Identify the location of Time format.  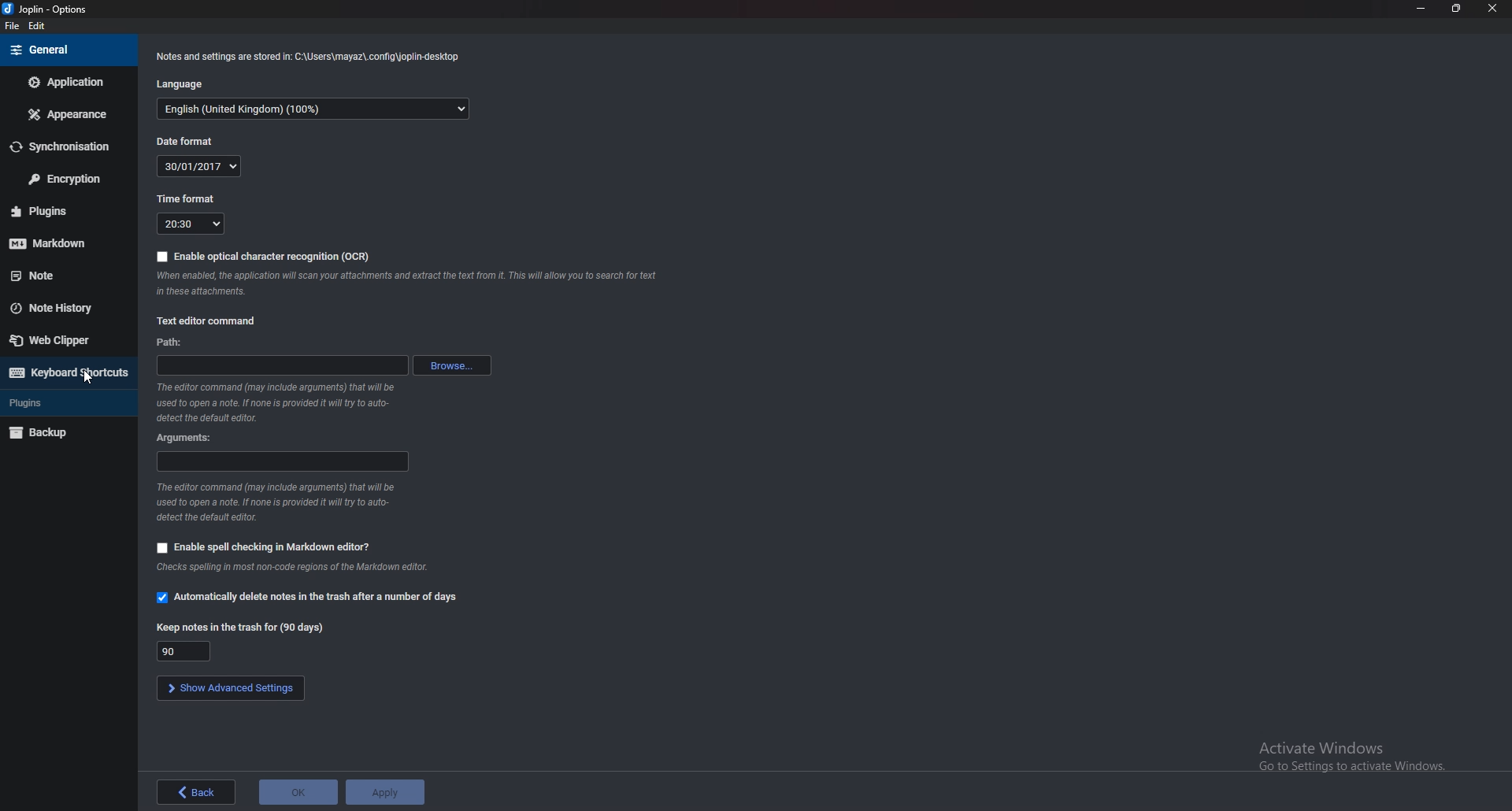
(192, 224).